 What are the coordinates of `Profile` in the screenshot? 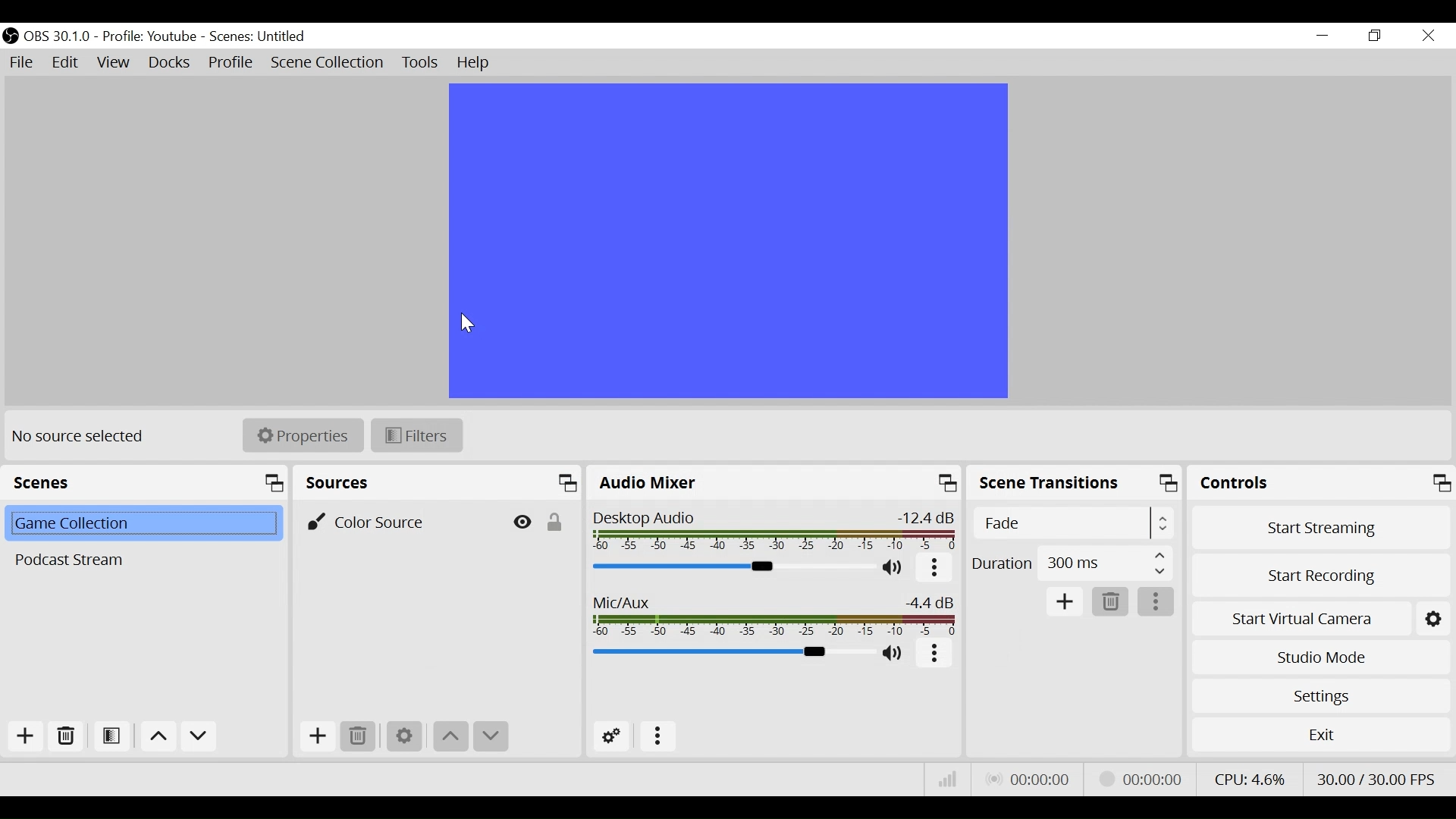 It's located at (231, 62).